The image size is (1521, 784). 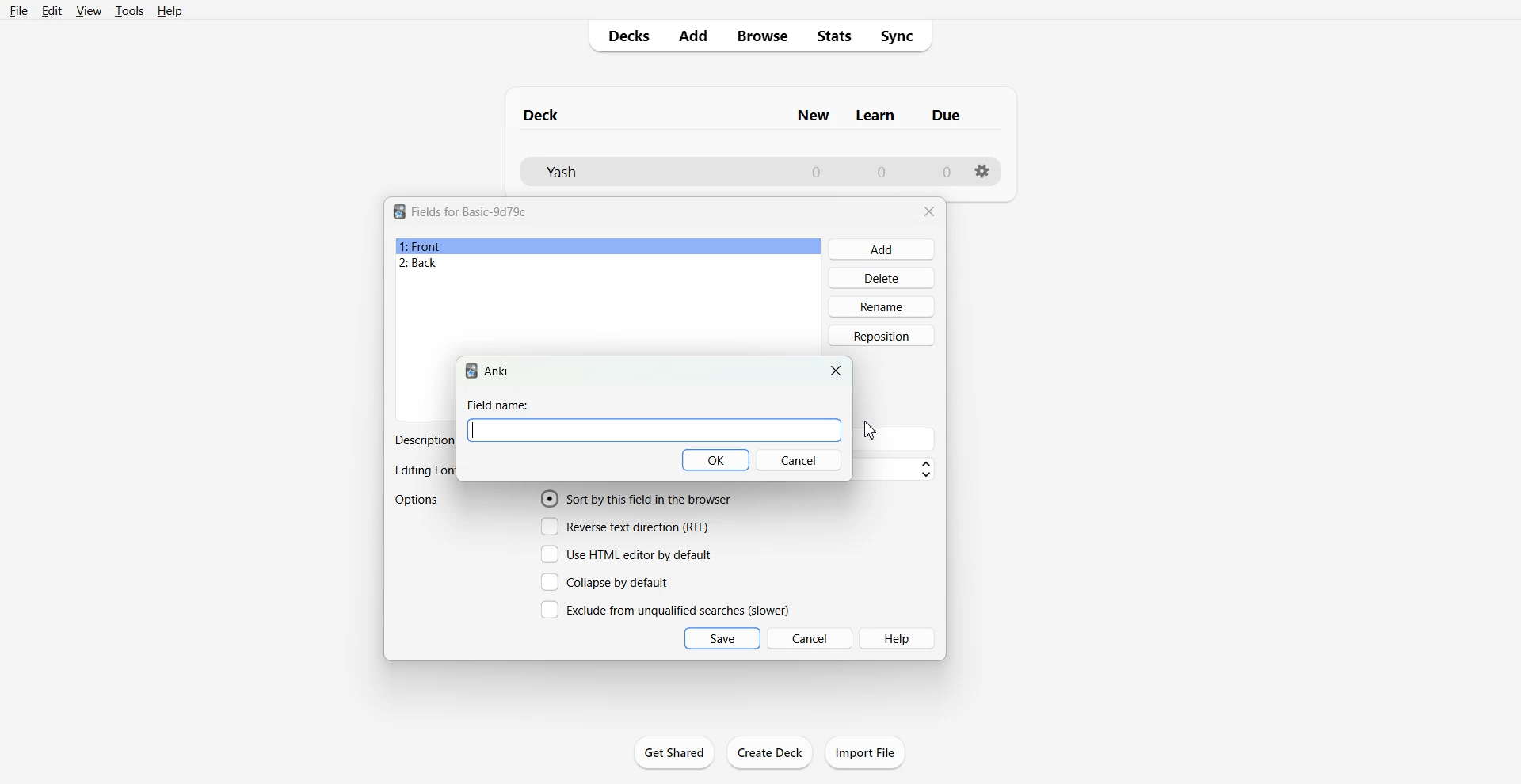 What do you see at coordinates (626, 554) in the screenshot?
I see `Use HTML editor by default` at bounding box center [626, 554].